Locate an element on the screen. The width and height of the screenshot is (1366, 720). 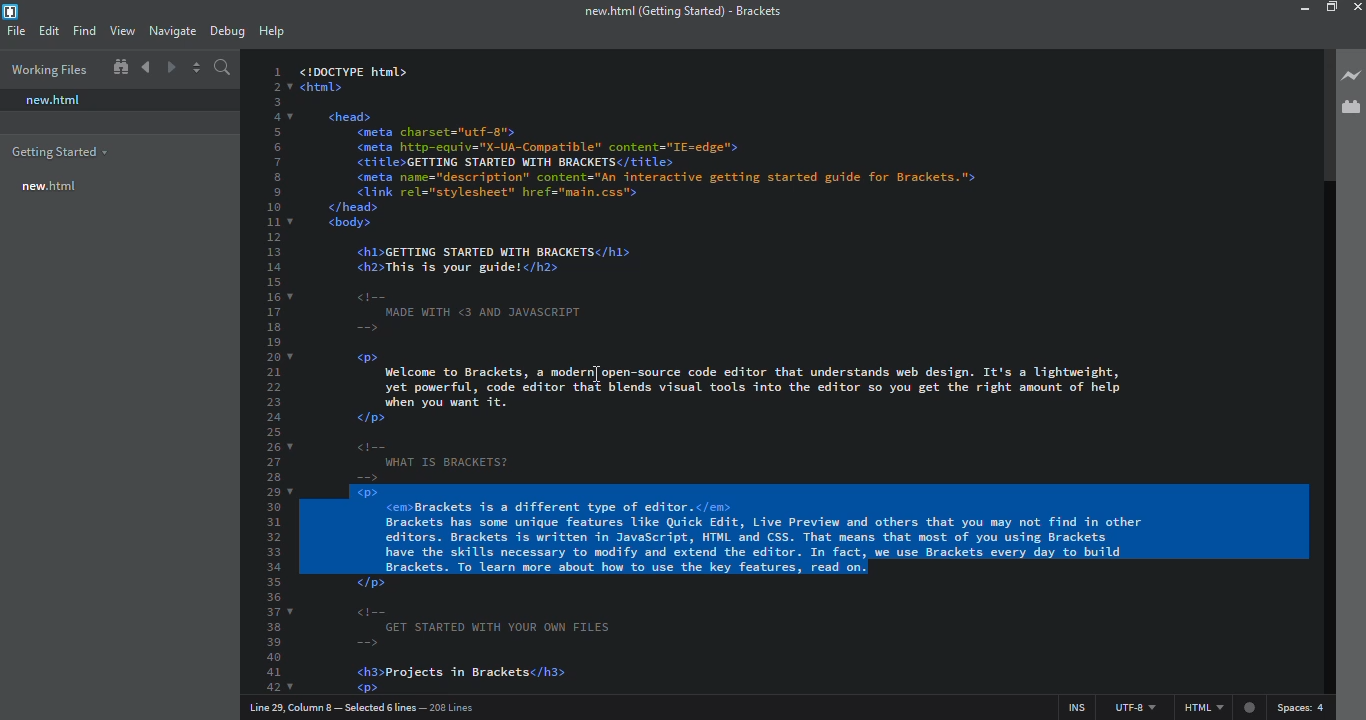
spaces is located at coordinates (1302, 709).